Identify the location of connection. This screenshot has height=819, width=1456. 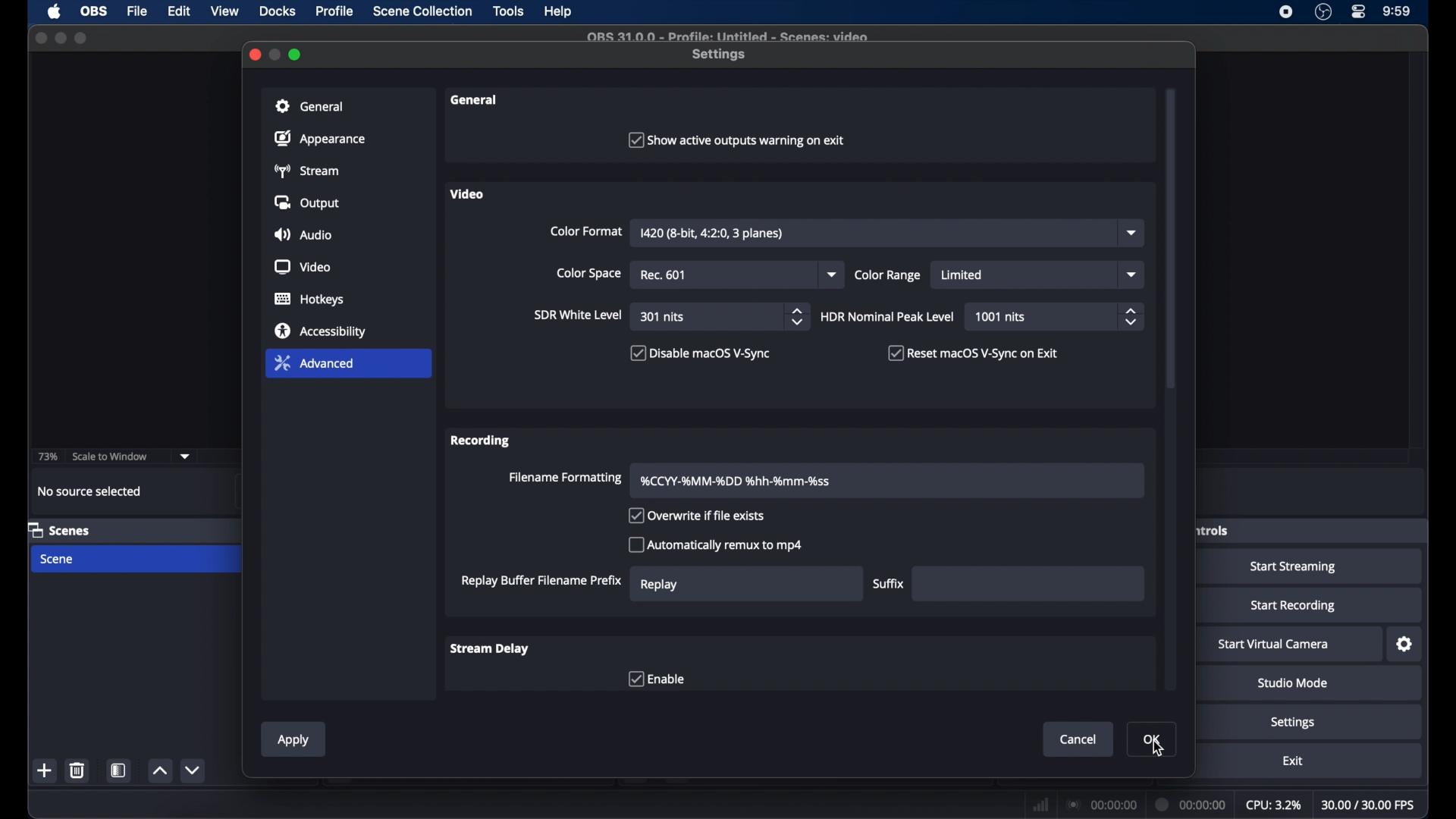
(1103, 803).